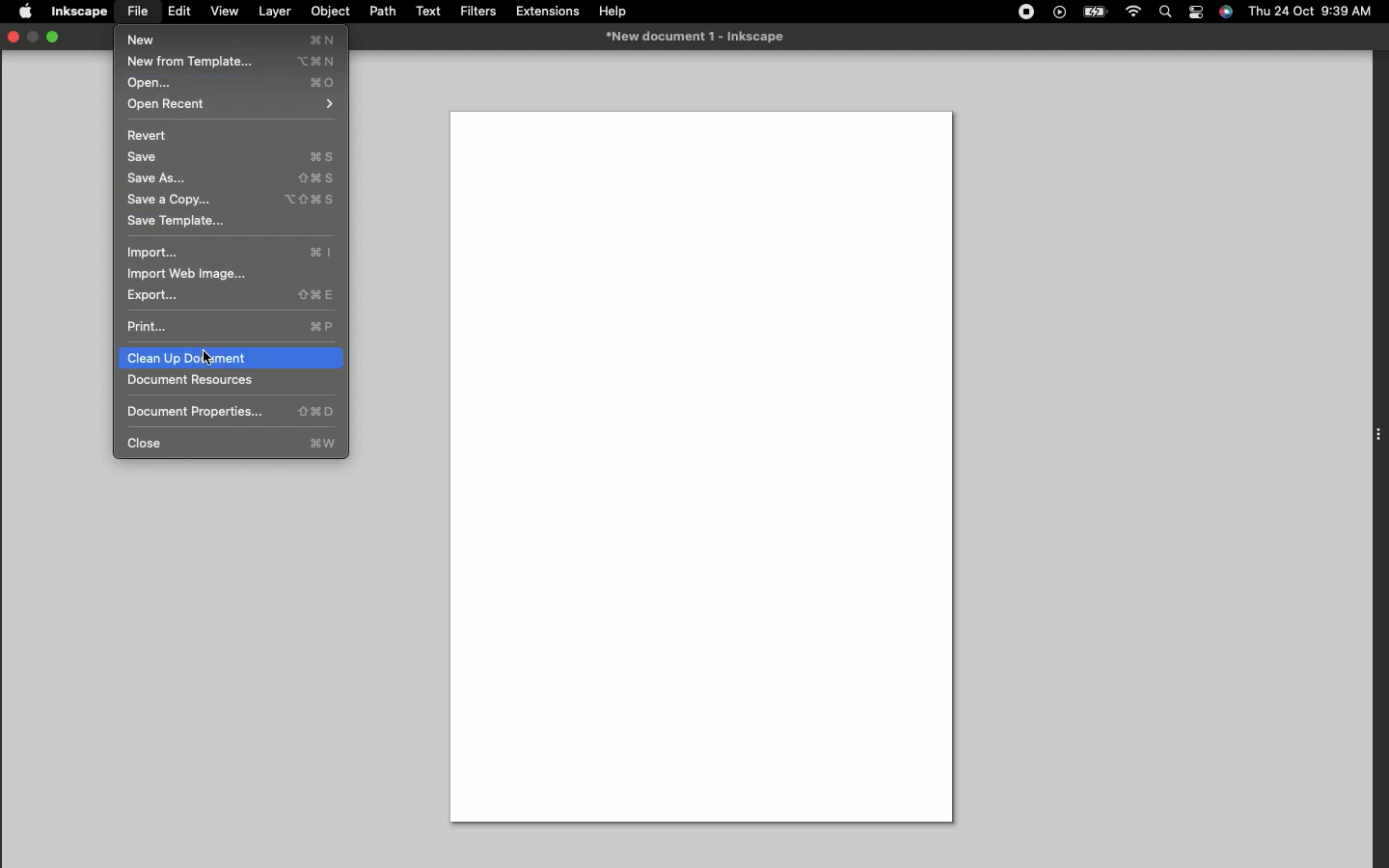  What do you see at coordinates (1198, 13) in the screenshot?
I see `Notification bar` at bounding box center [1198, 13].